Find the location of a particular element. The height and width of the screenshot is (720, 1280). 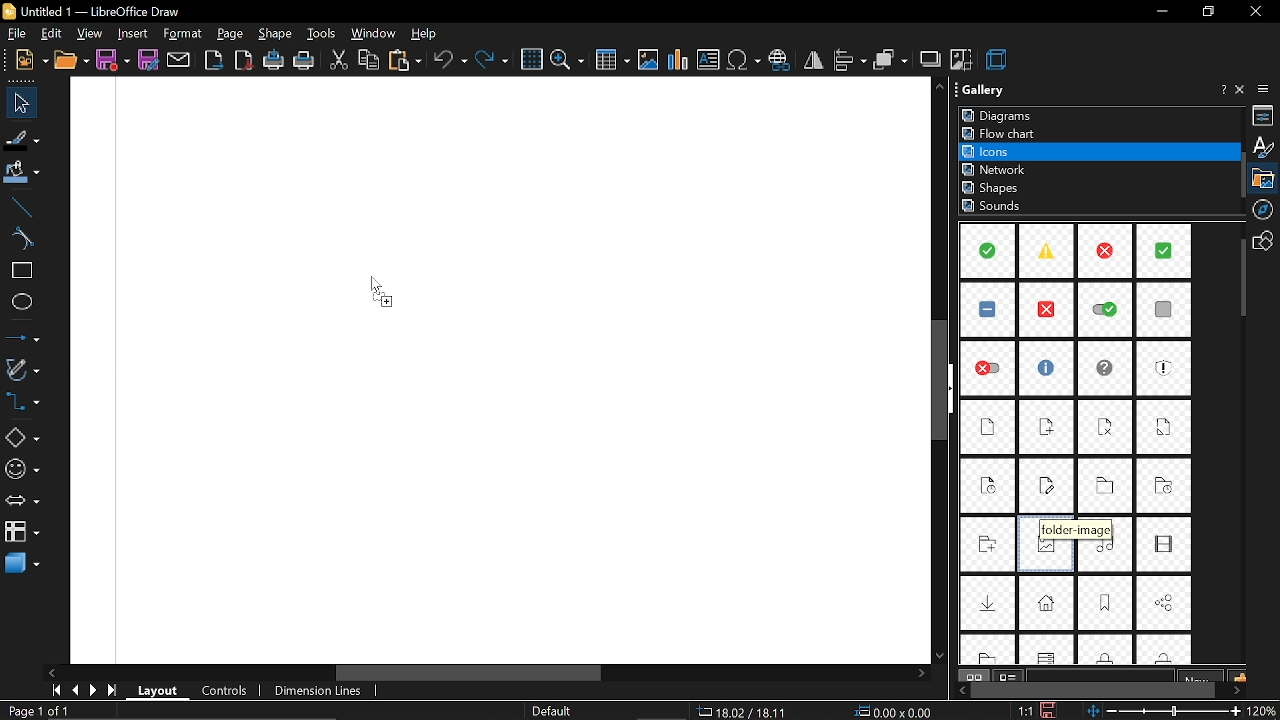

arrows is located at coordinates (20, 503).